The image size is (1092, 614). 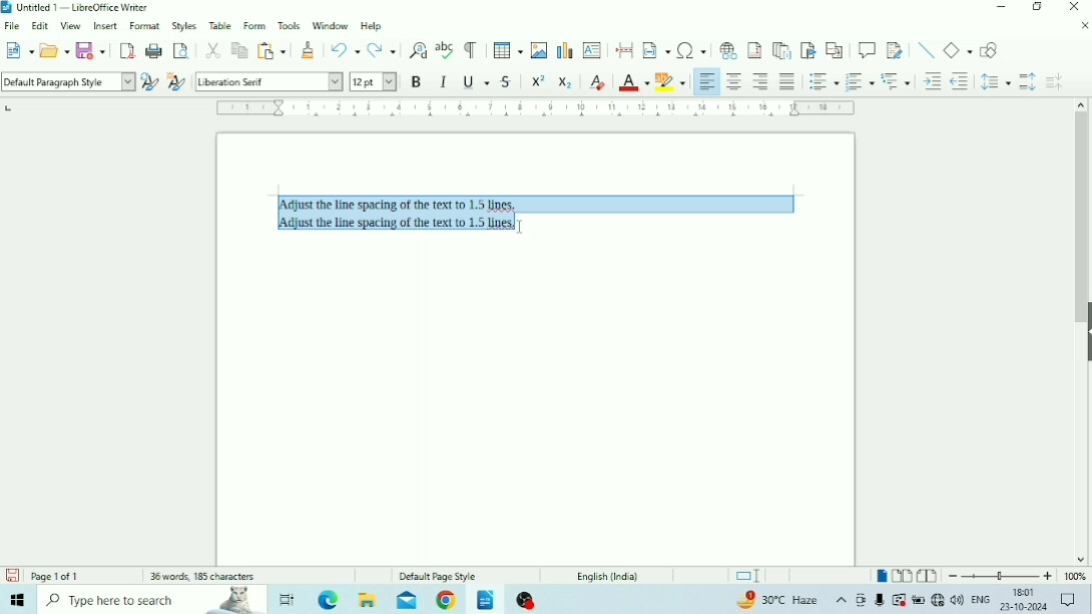 What do you see at coordinates (56, 576) in the screenshot?
I see `Page number` at bounding box center [56, 576].